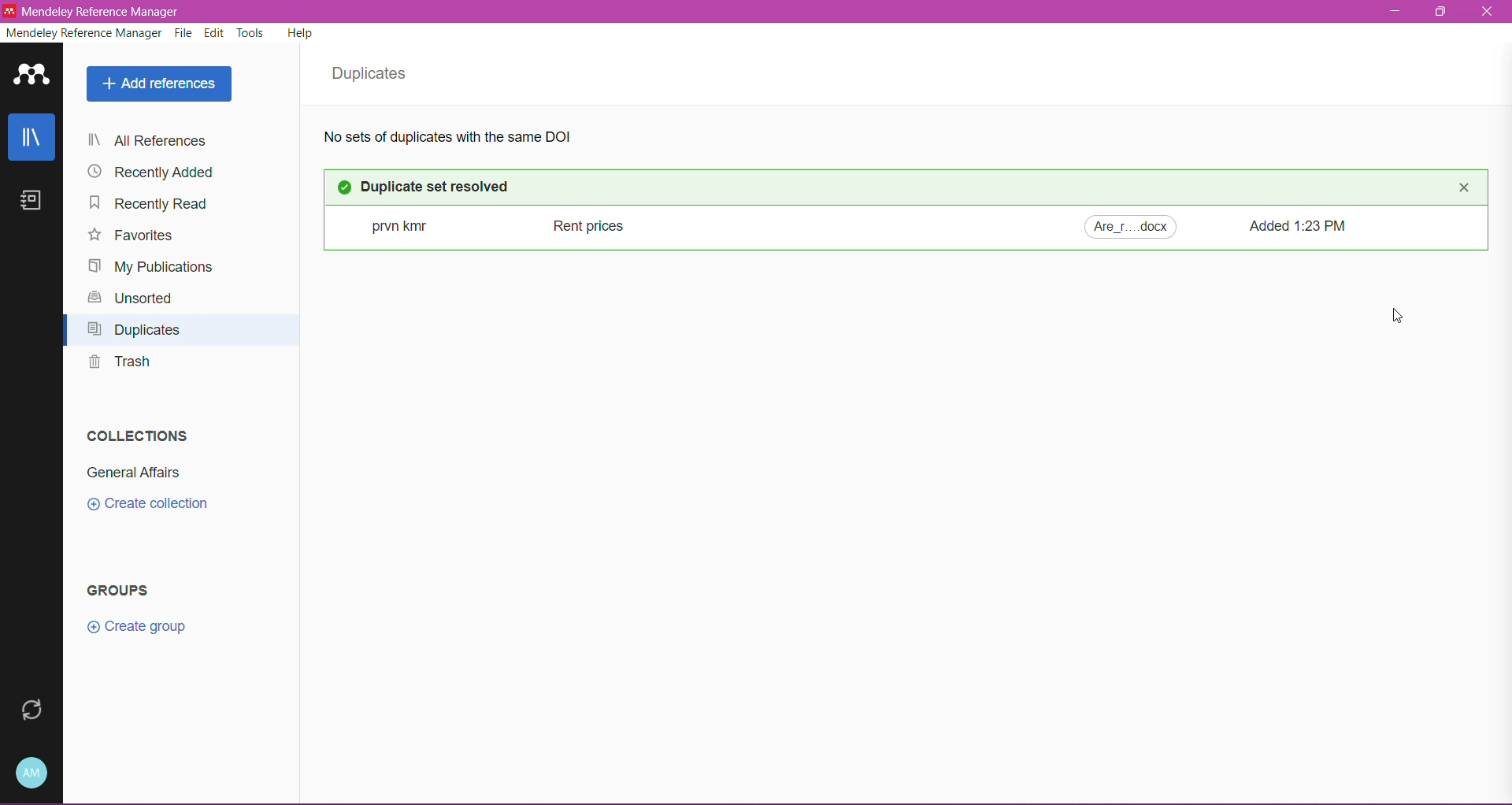 This screenshot has width=1512, height=805. I want to click on Click to create new Group, so click(139, 625).